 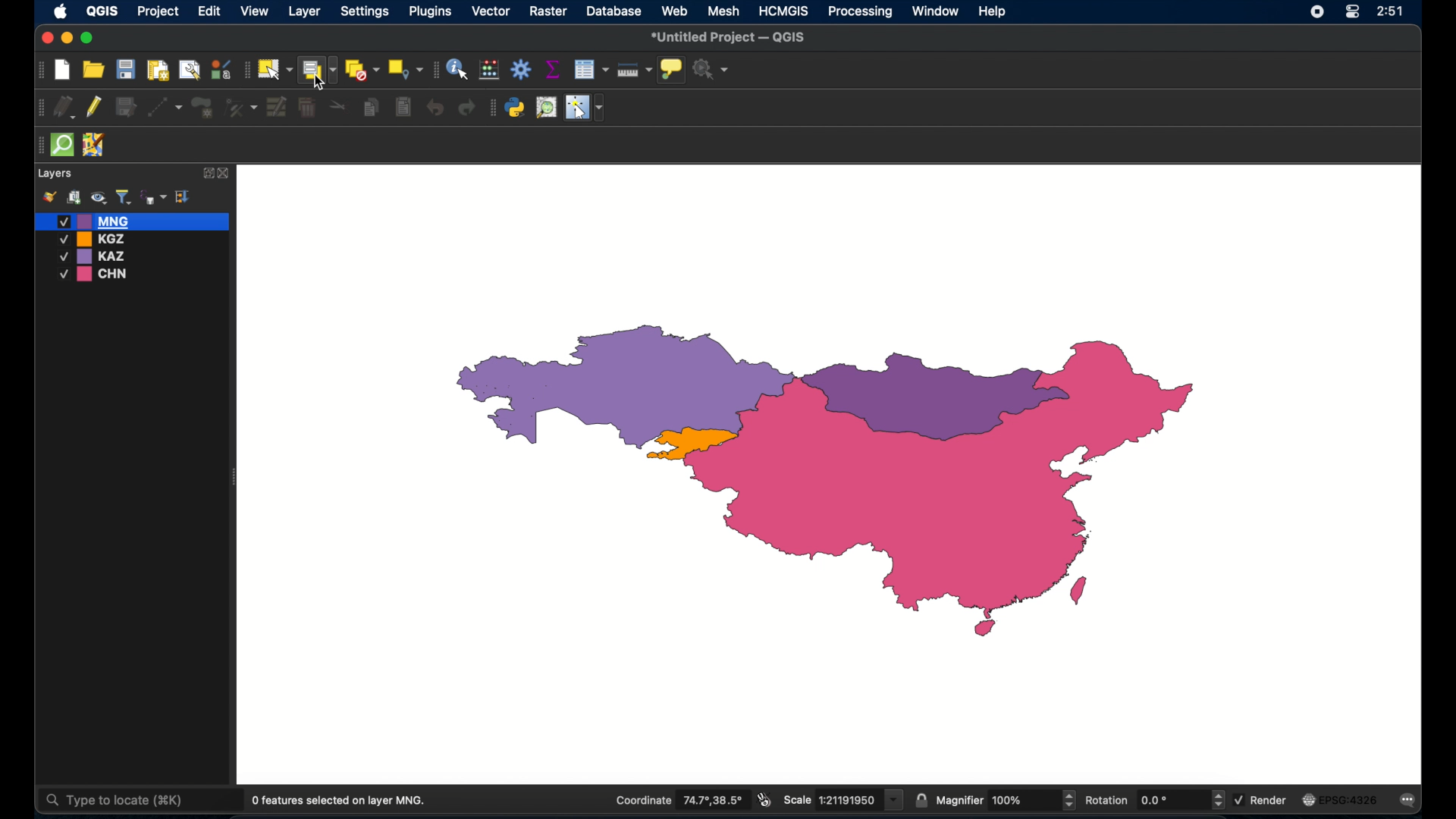 I want to click on edit, so click(x=209, y=12).